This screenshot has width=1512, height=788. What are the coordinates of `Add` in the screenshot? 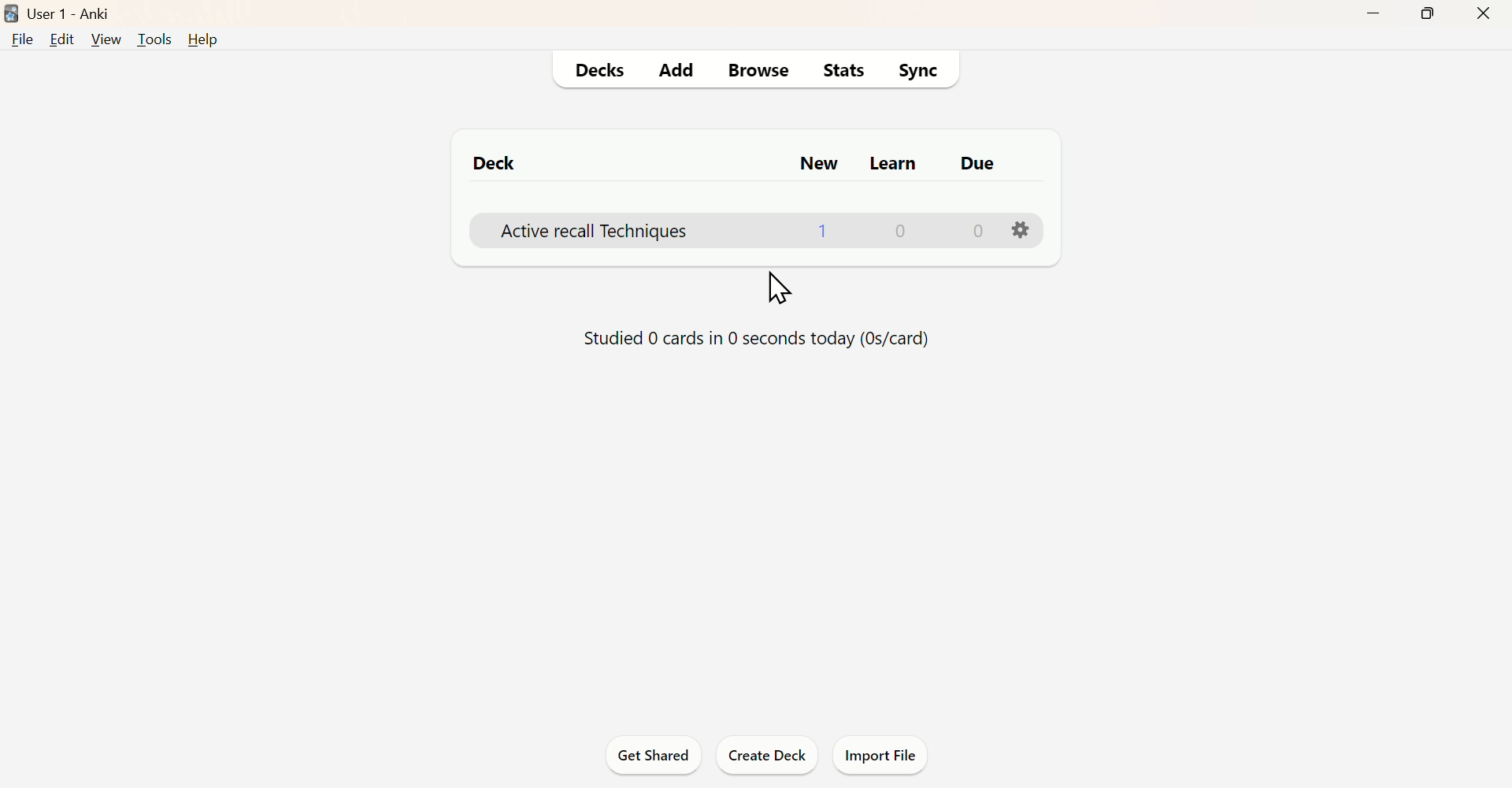 It's located at (680, 71).